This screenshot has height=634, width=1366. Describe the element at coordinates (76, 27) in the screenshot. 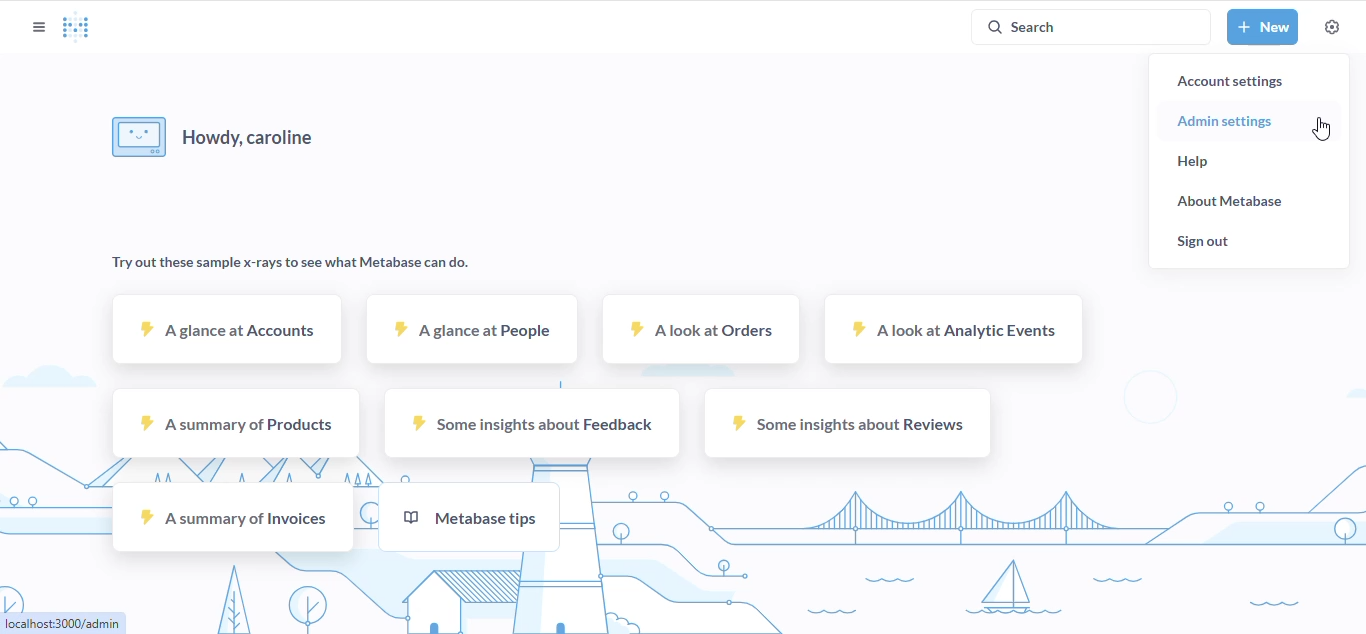

I see `logo` at that location.